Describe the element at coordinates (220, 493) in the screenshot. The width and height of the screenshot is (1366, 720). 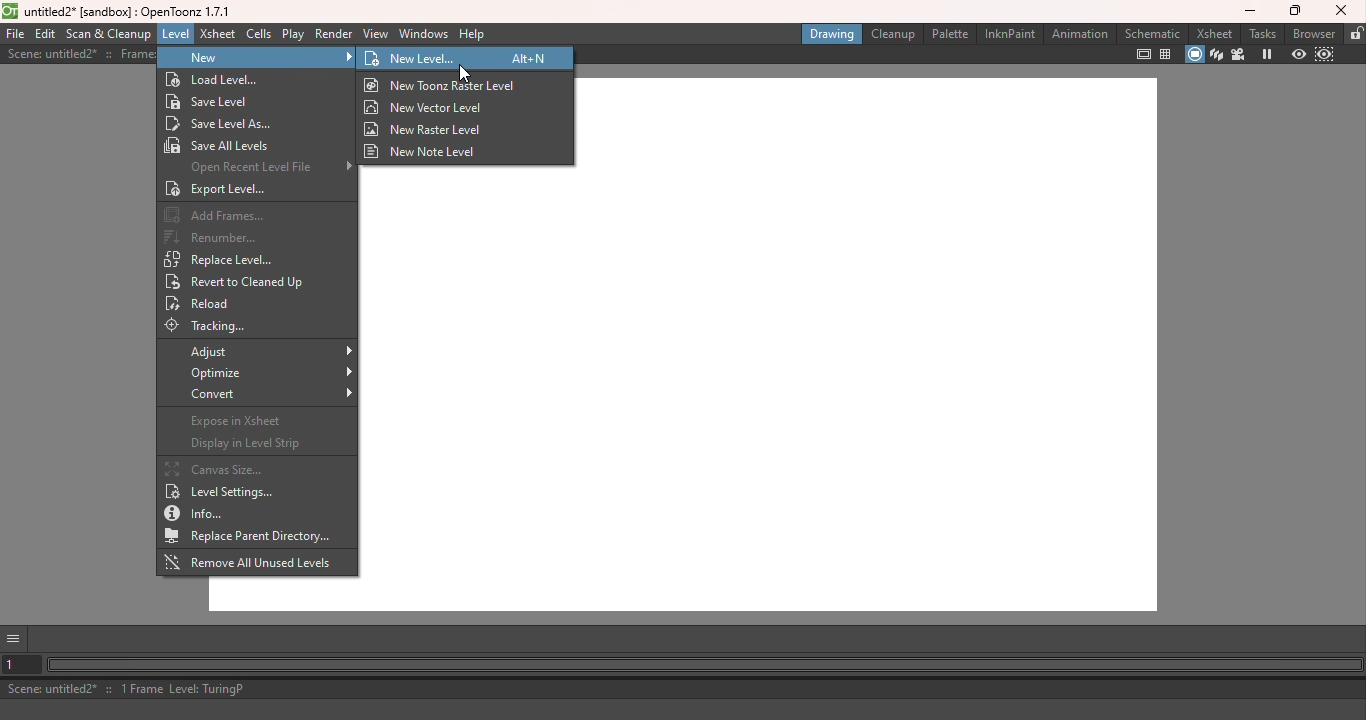
I see `Level settings` at that location.